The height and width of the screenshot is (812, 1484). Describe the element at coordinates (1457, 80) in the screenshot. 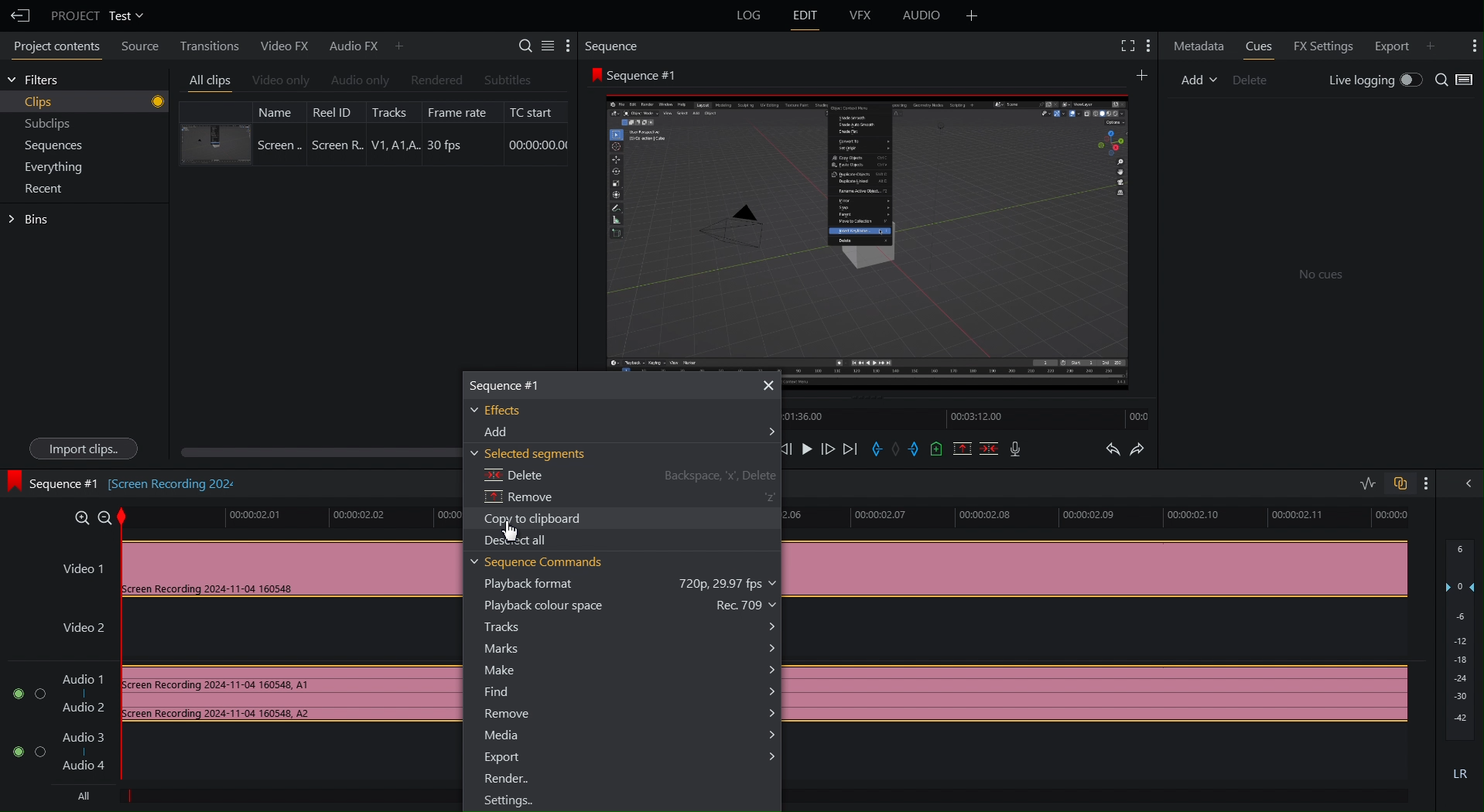

I see `Search` at that location.